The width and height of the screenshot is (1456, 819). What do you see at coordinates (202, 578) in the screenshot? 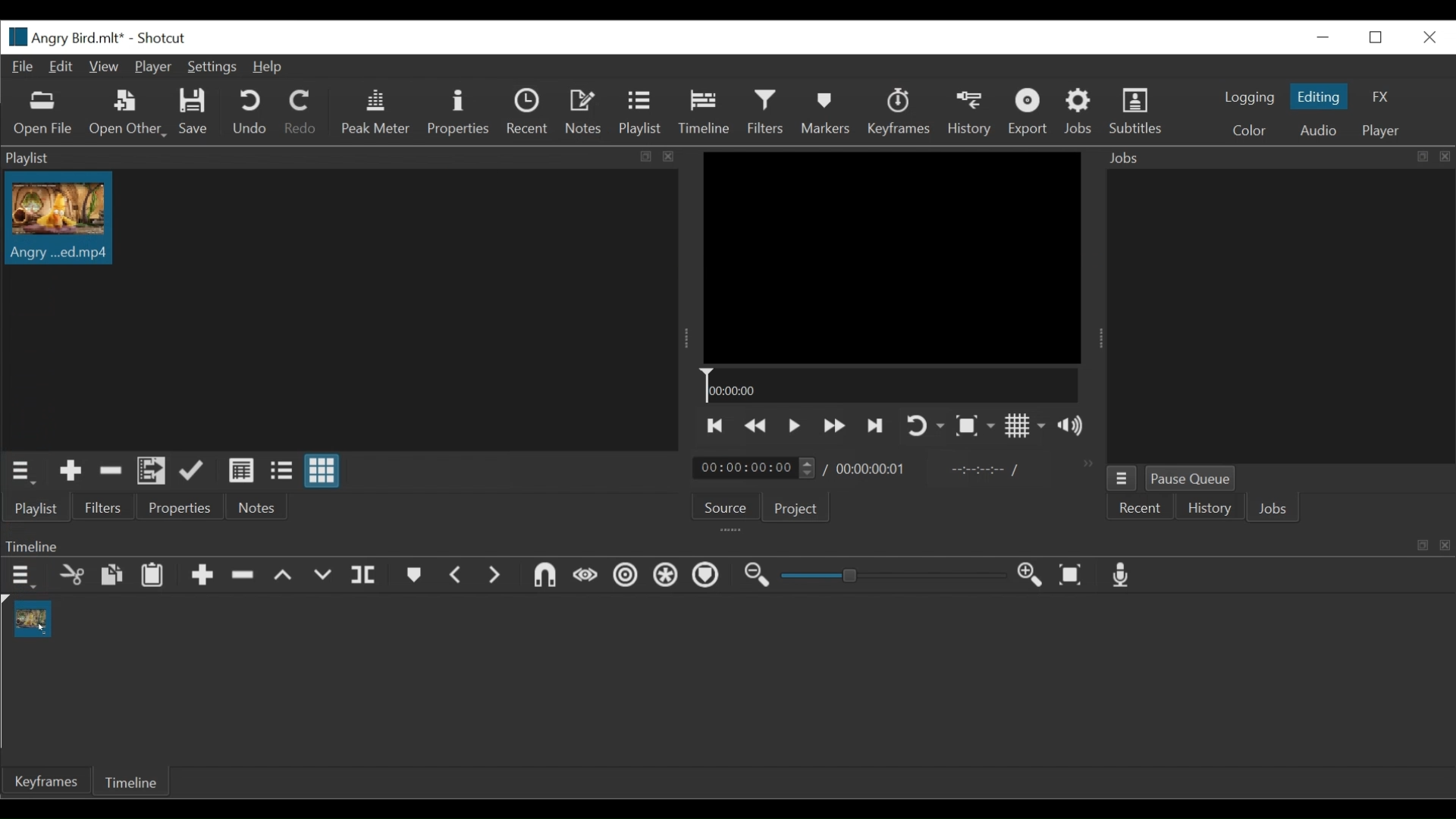
I see `add clip` at bounding box center [202, 578].